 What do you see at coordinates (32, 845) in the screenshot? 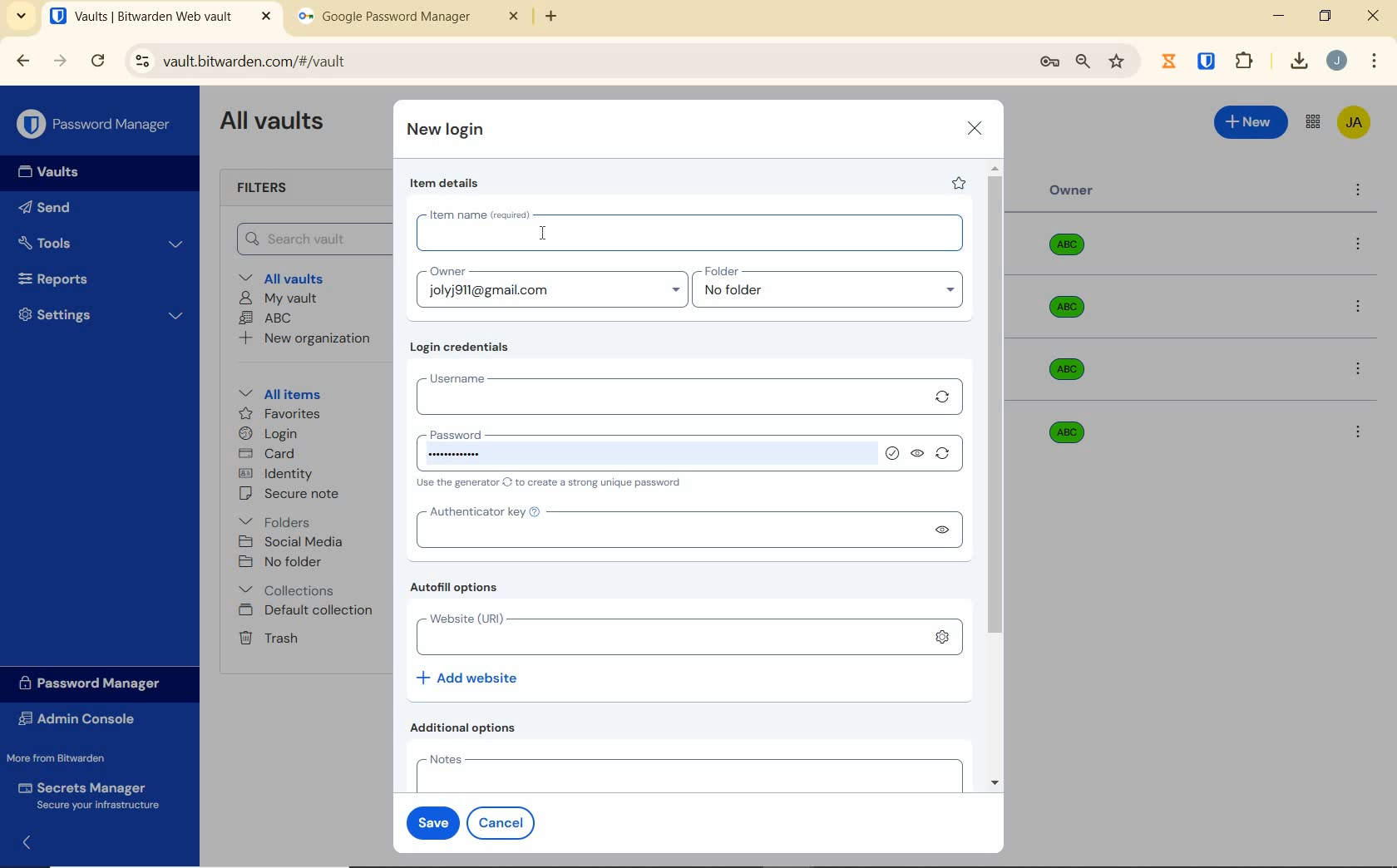
I see `close side bar` at bounding box center [32, 845].